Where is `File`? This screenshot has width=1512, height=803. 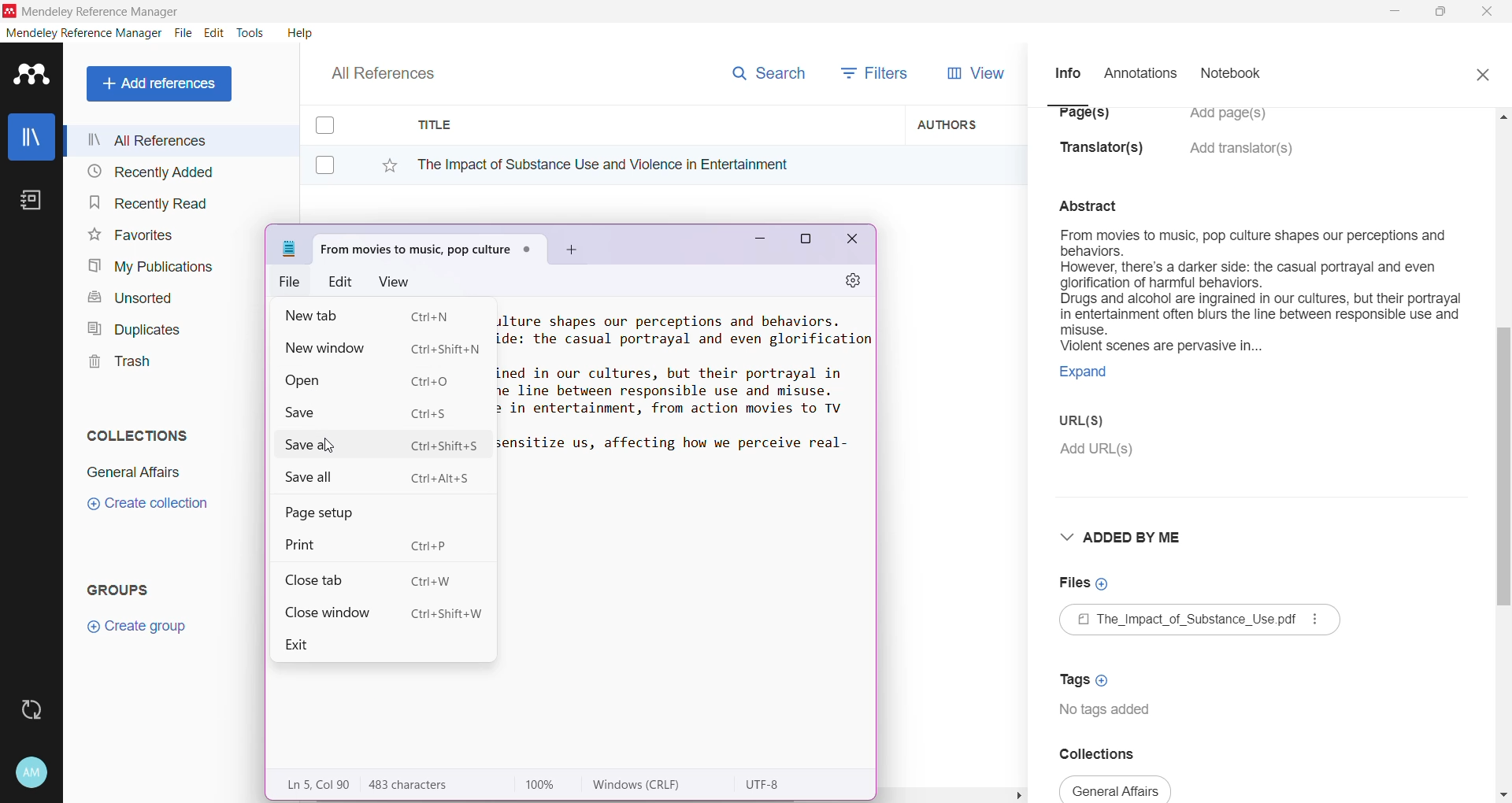
File is located at coordinates (183, 34).